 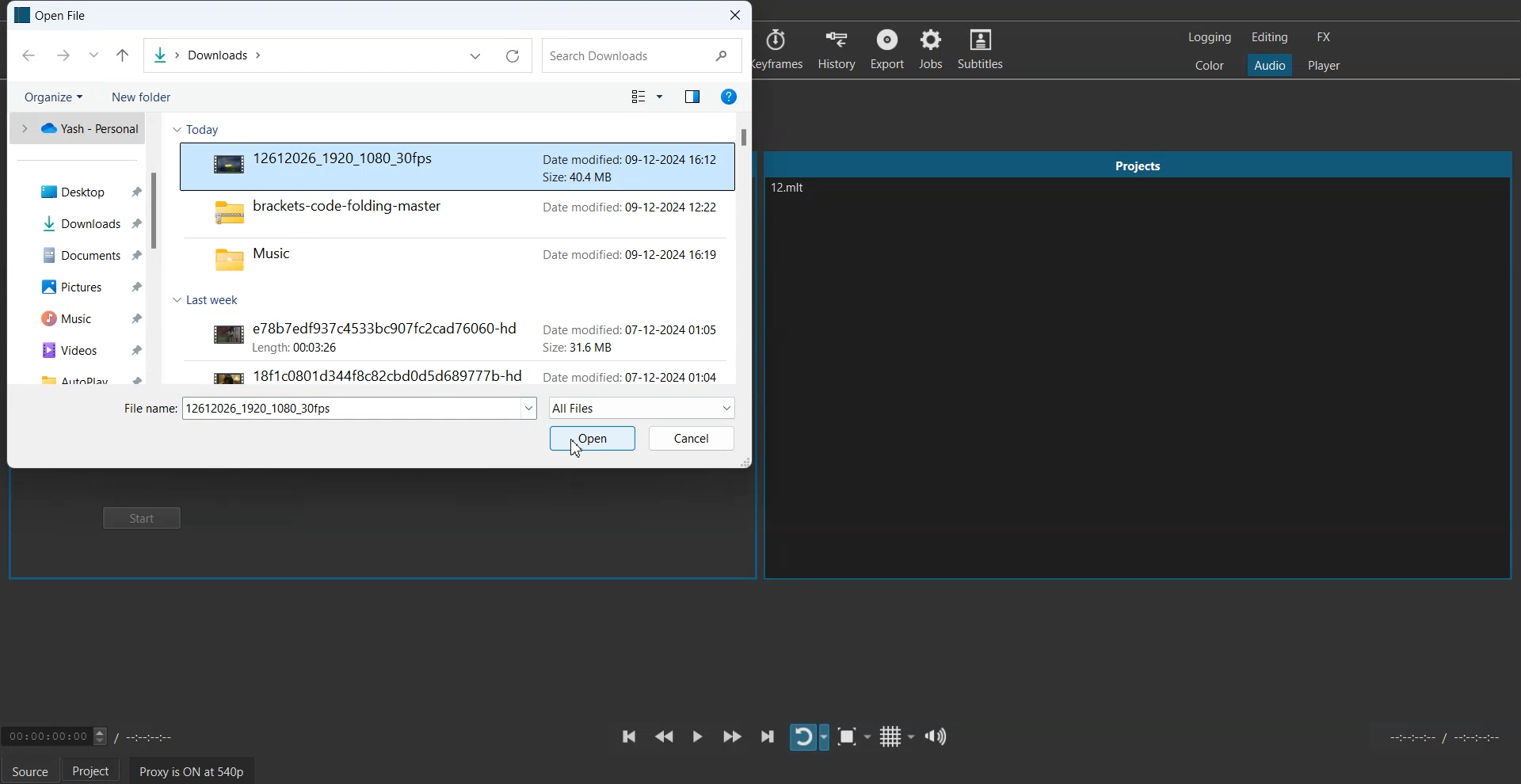 I want to click on Cancel, so click(x=692, y=439).